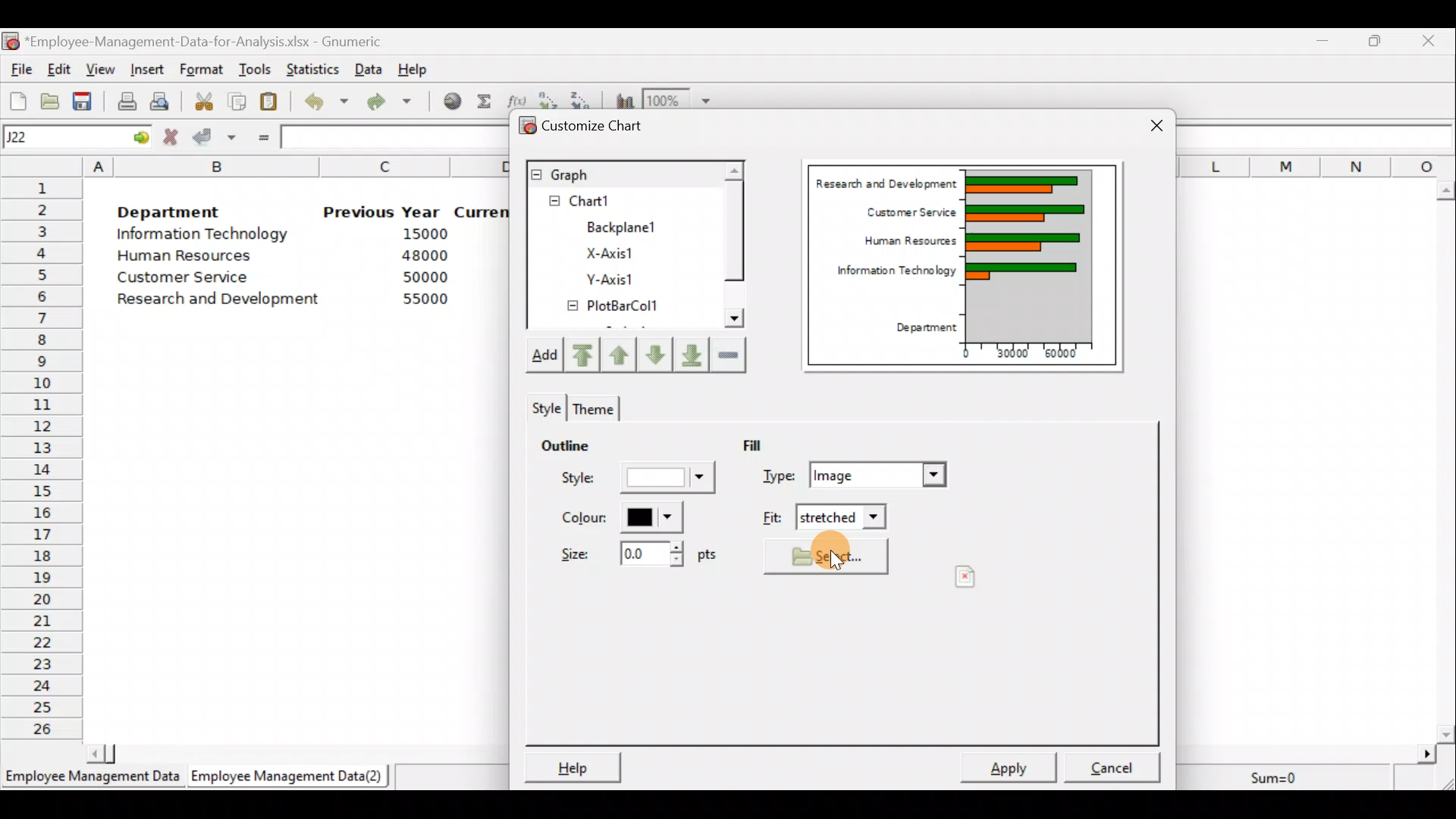 The width and height of the screenshot is (1456, 819). What do you see at coordinates (203, 67) in the screenshot?
I see `Format` at bounding box center [203, 67].